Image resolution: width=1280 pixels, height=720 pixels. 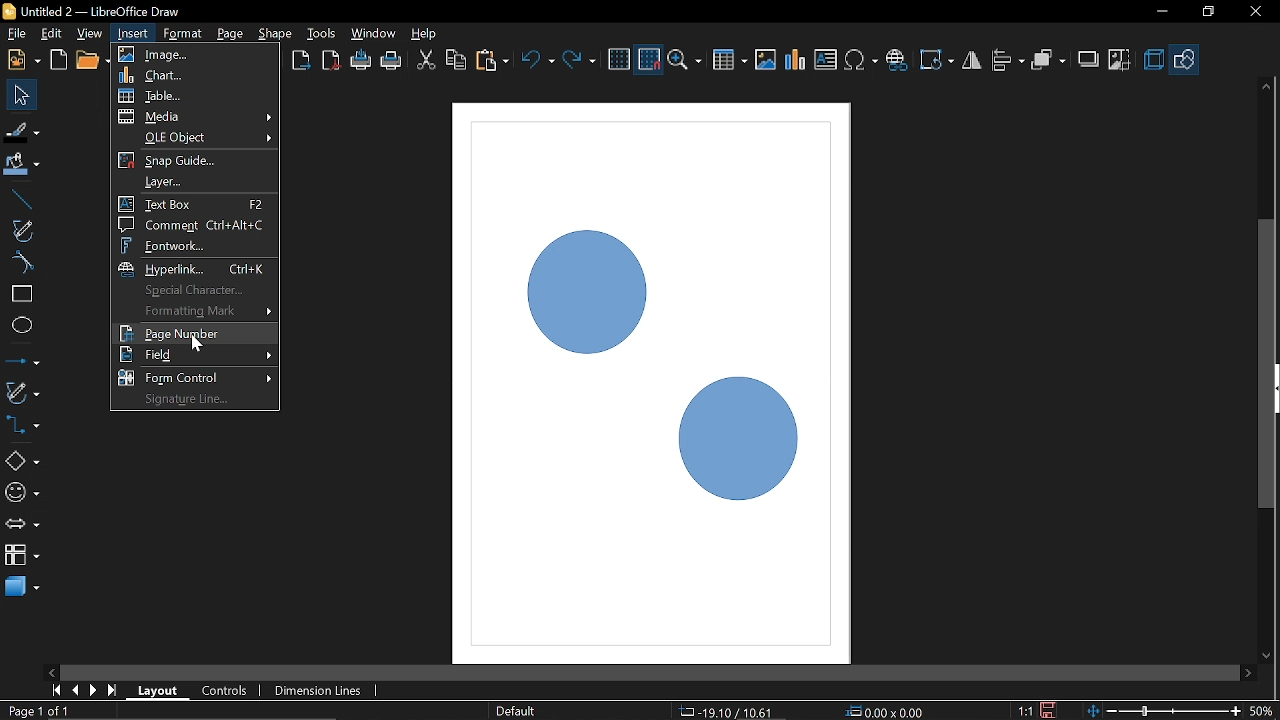 I want to click on Change zoom, so click(x=1166, y=709).